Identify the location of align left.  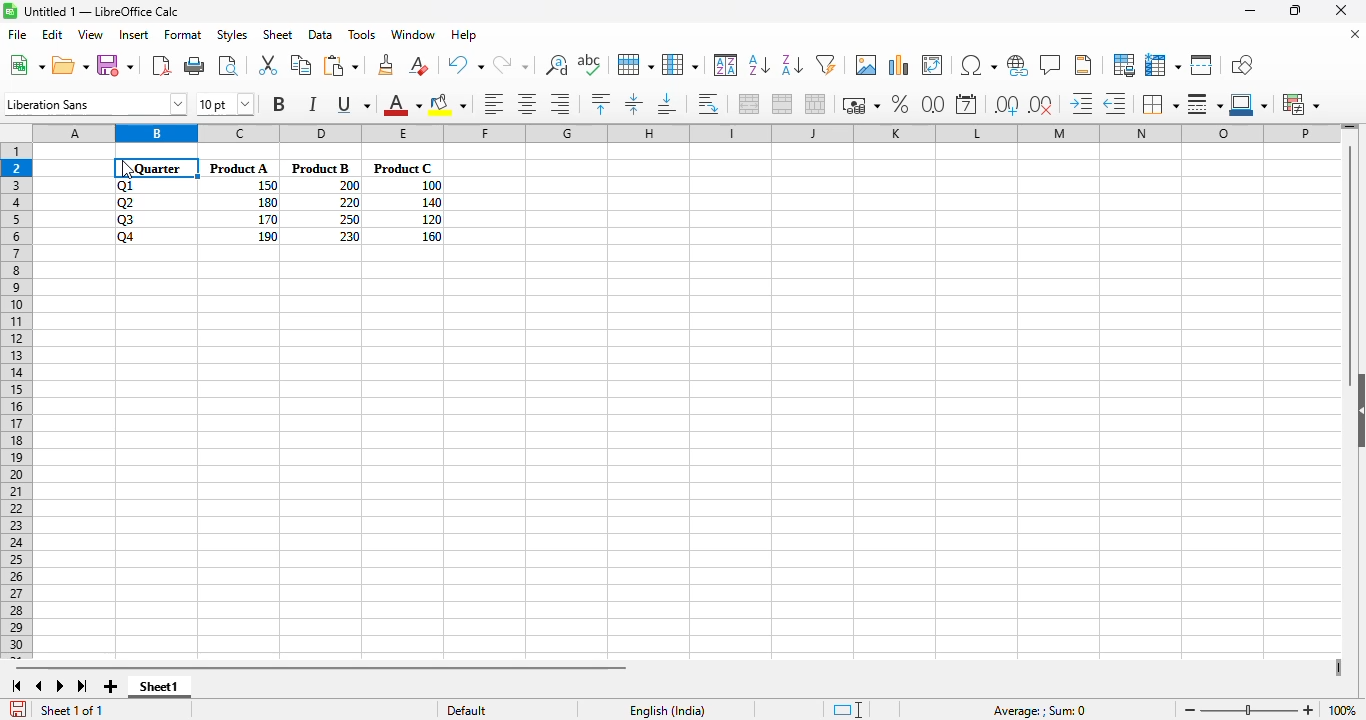
(494, 103).